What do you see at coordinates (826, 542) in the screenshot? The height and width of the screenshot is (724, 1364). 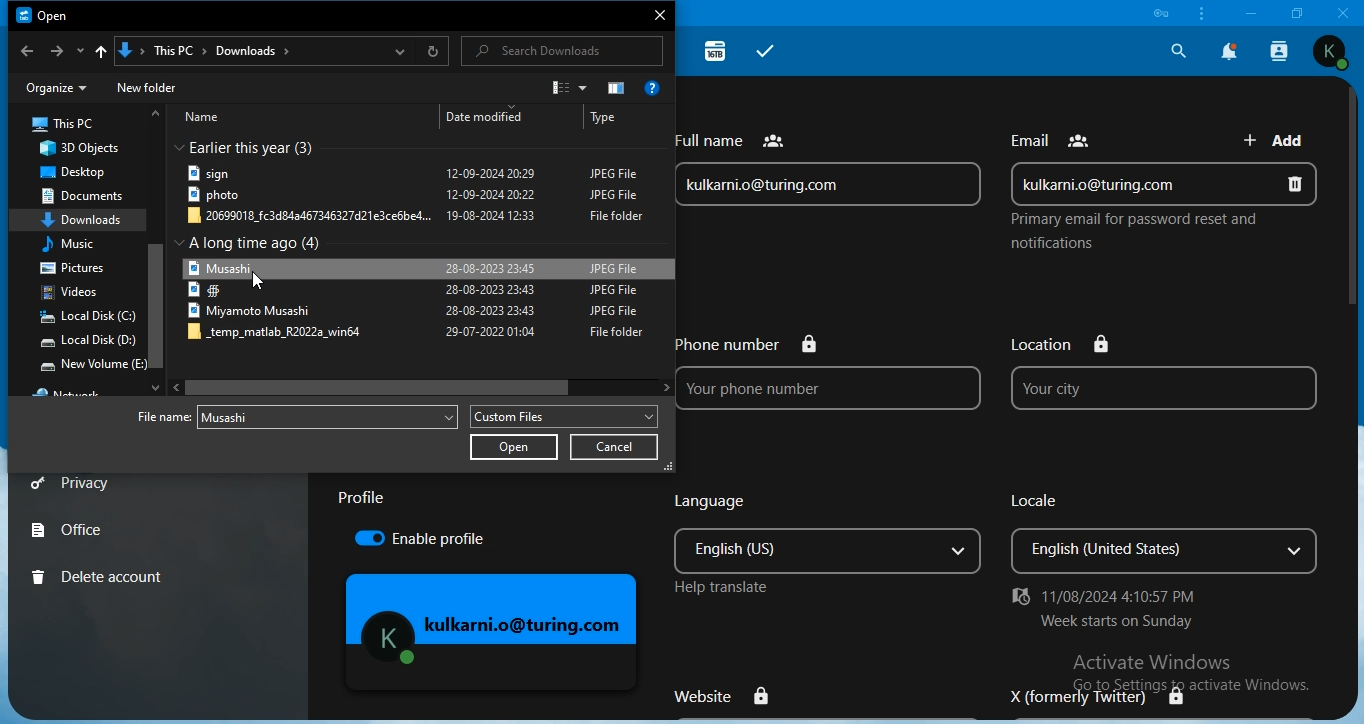 I see `language` at bounding box center [826, 542].